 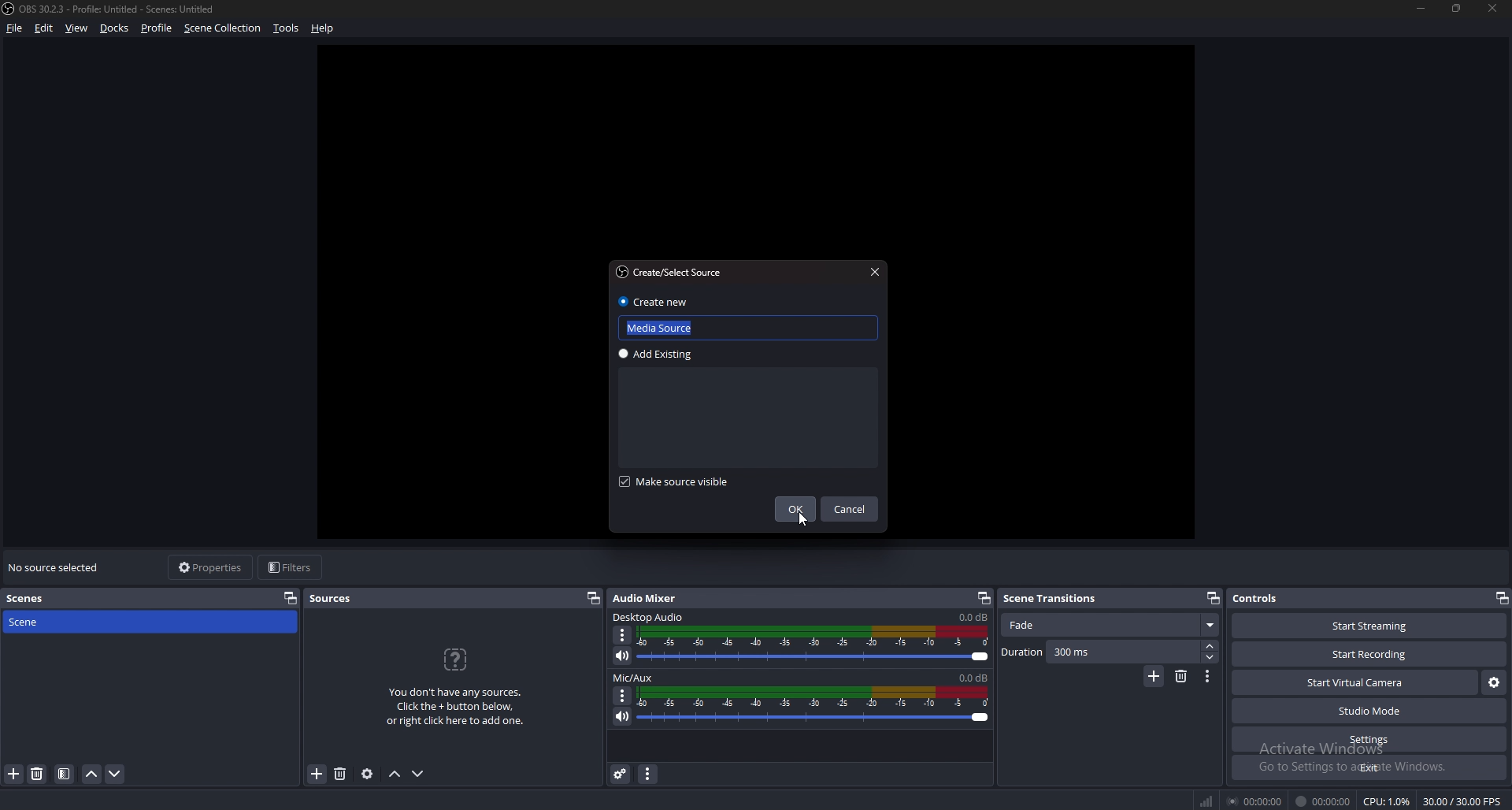 I want to click on Scene collection, so click(x=223, y=28).